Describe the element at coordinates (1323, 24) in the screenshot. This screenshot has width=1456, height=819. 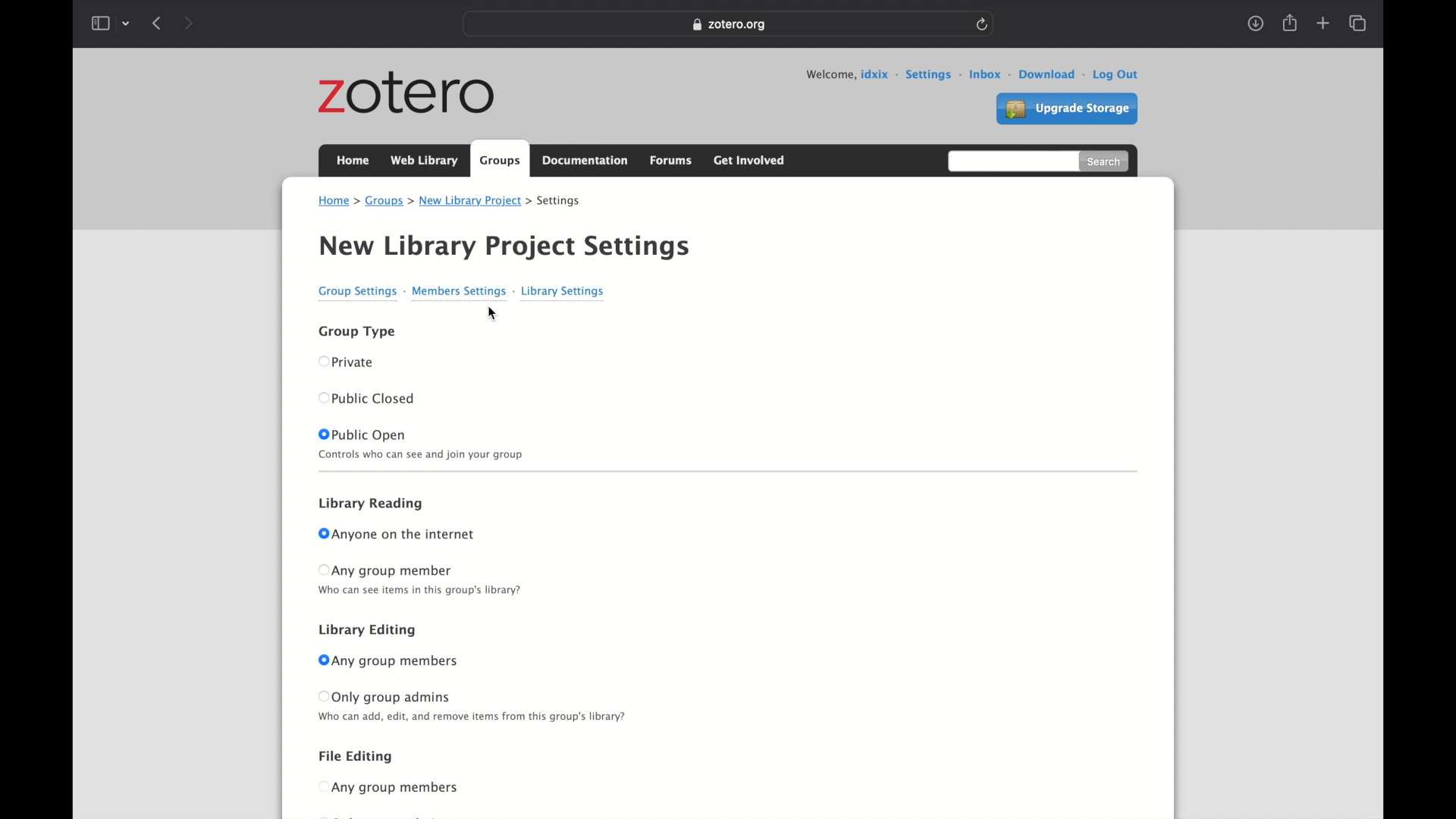
I see `new tab` at that location.